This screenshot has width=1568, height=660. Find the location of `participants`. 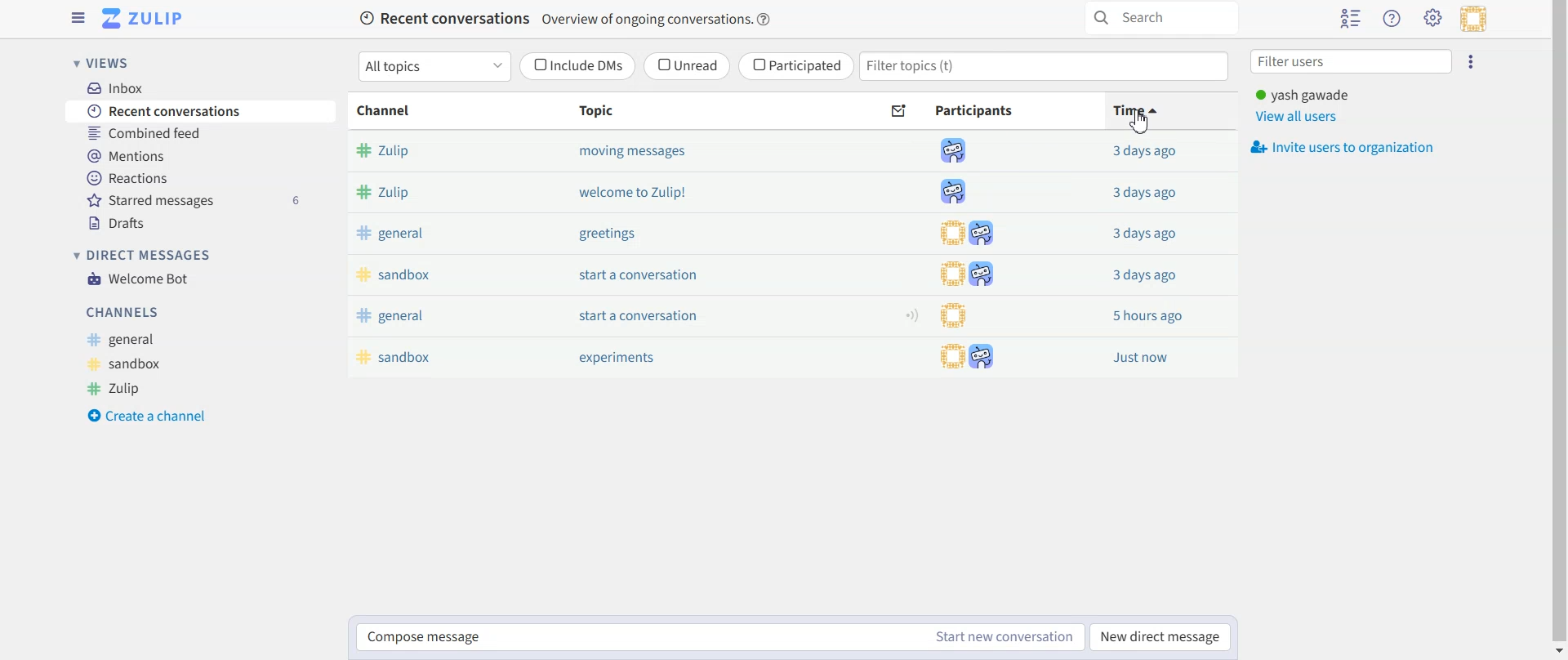

participants is located at coordinates (963, 274).